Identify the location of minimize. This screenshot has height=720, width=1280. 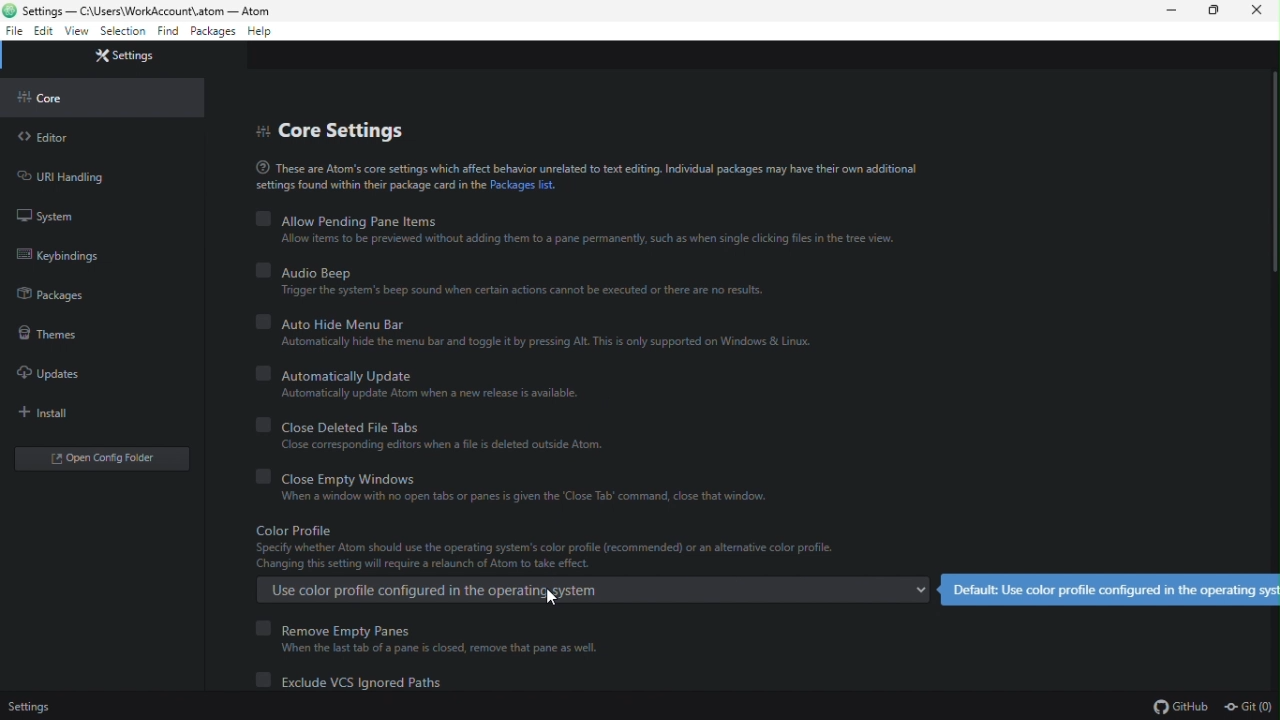
(1171, 13).